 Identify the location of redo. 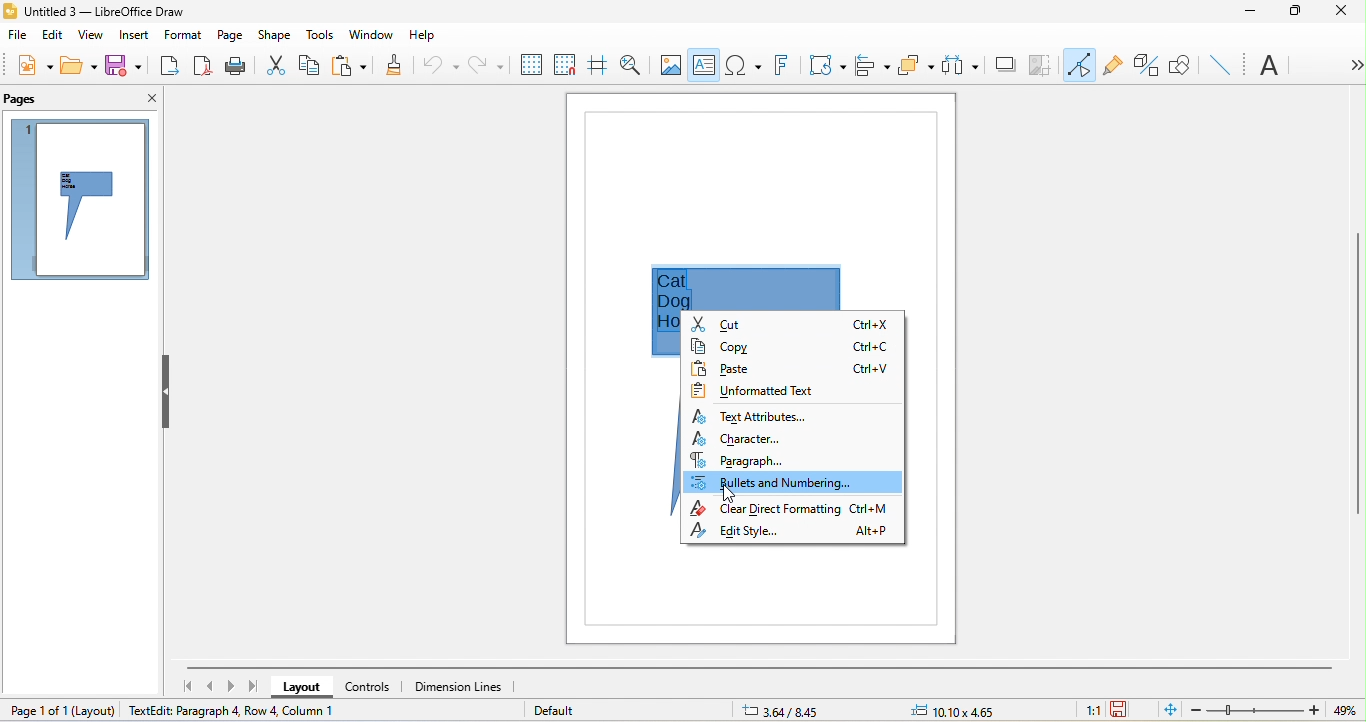
(483, 65).